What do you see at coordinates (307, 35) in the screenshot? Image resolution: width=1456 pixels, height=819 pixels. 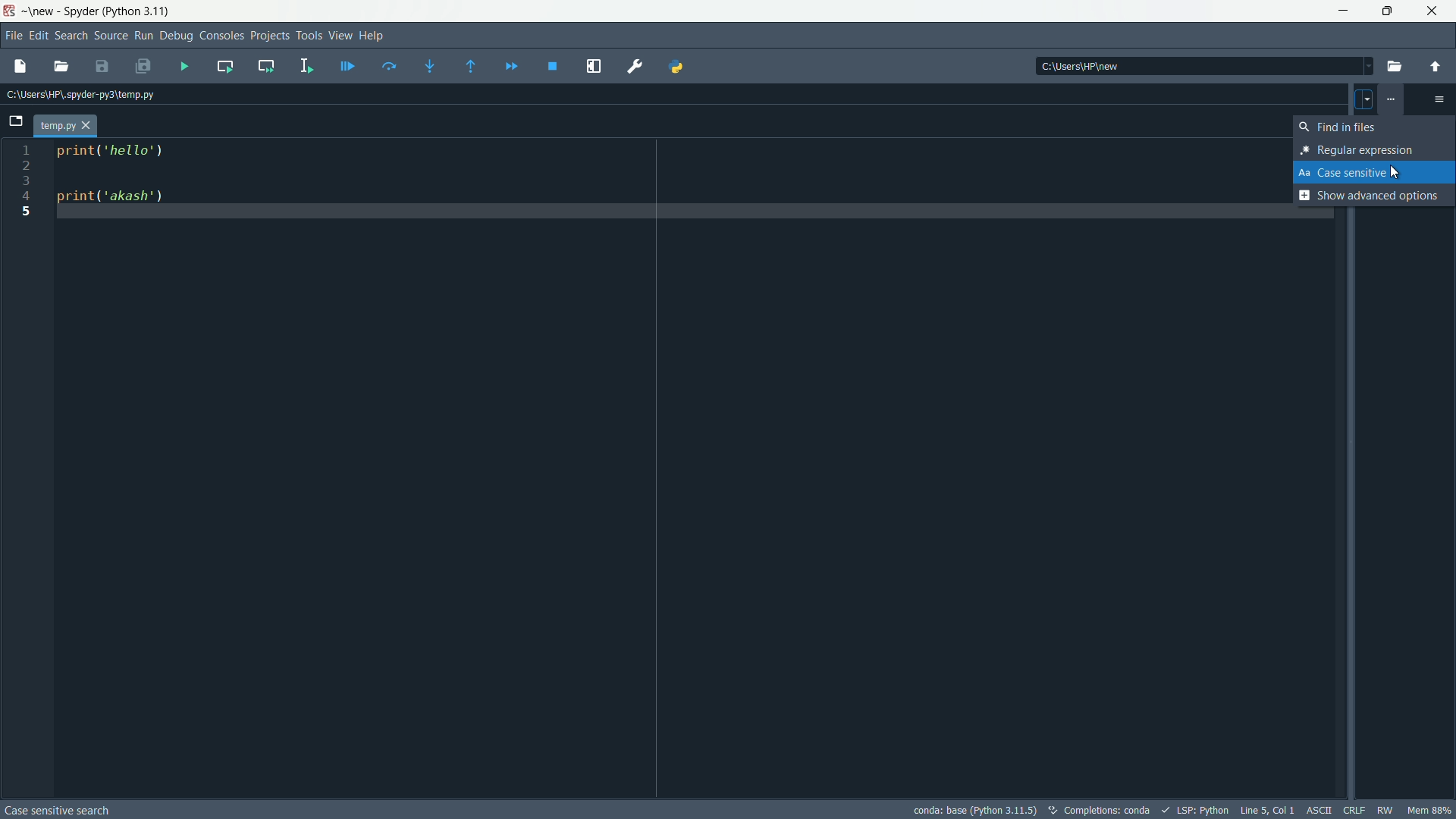 I see `Tools Menu` at bounding box center [307, 35].